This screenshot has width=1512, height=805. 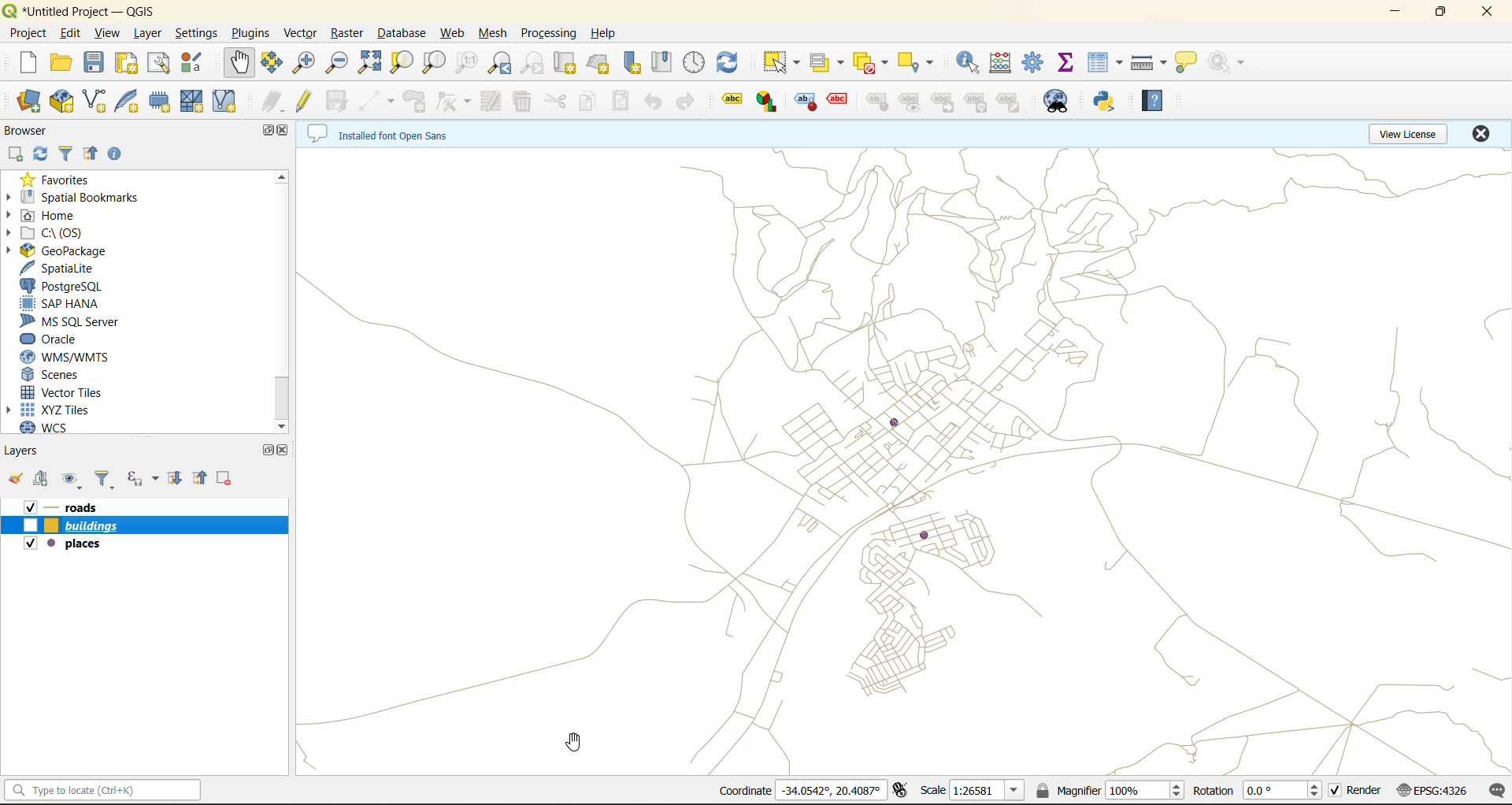 I want to click on edit, so click(x=72, y=34).